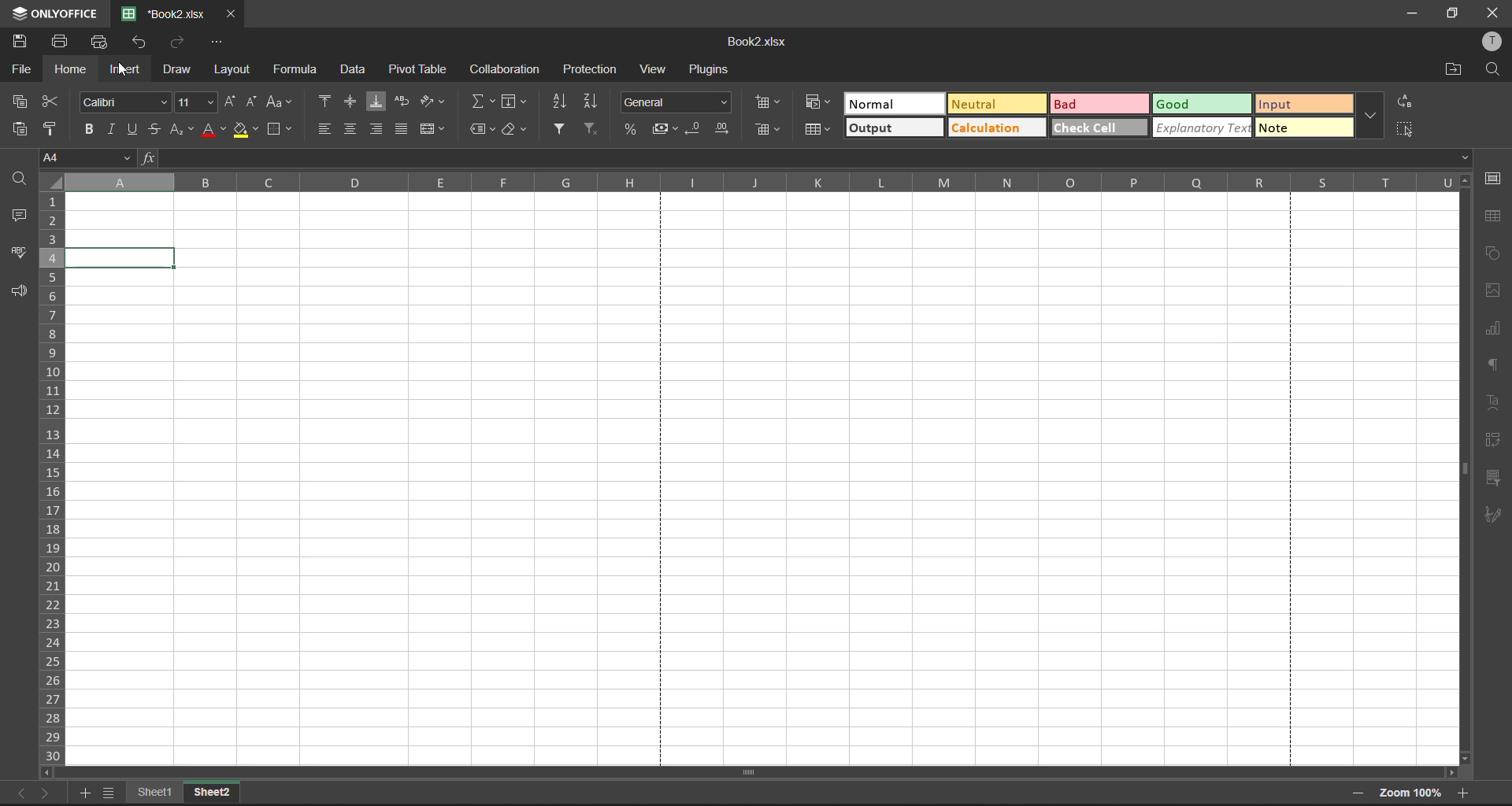  What do you see at coordinates (1495, 404) in the screenshot?
I see `text` at bounding box center [1495, 404].